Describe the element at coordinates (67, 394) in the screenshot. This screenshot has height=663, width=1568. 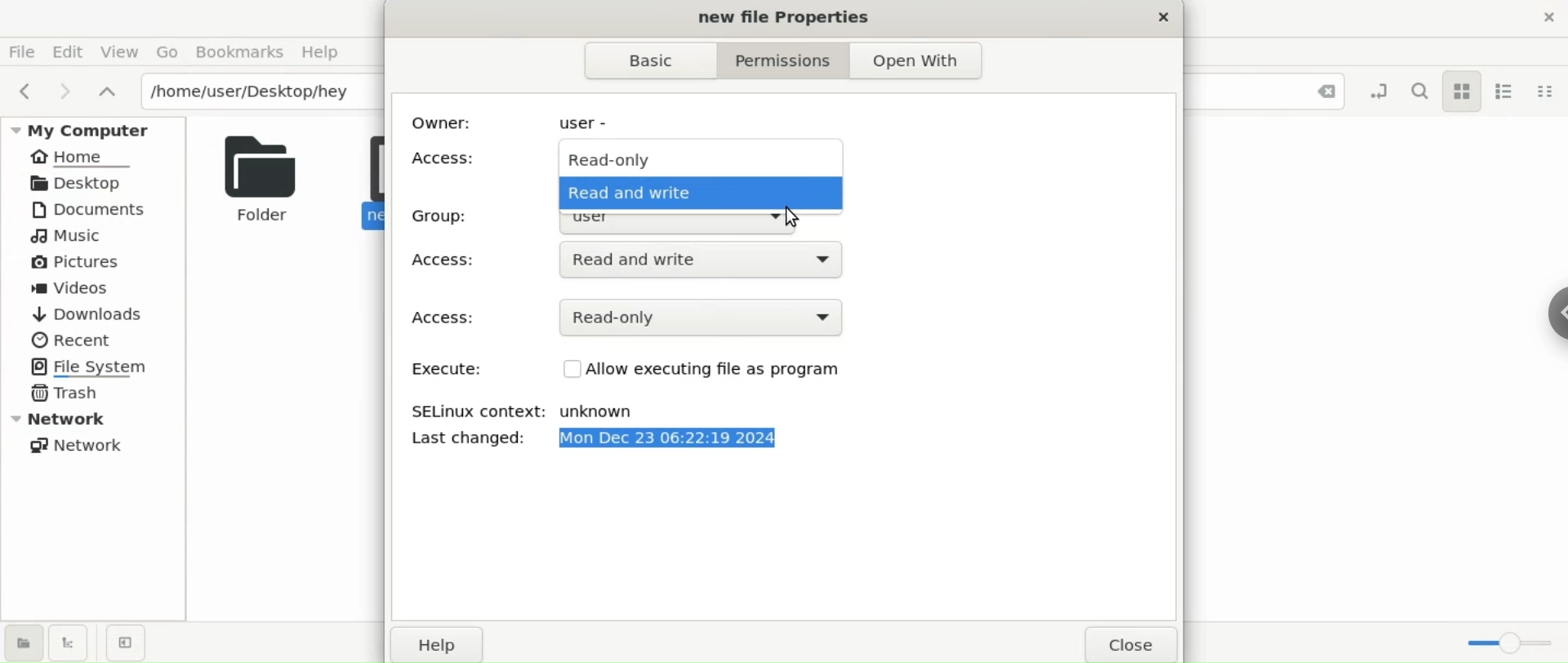
I see `Trash` at that location.